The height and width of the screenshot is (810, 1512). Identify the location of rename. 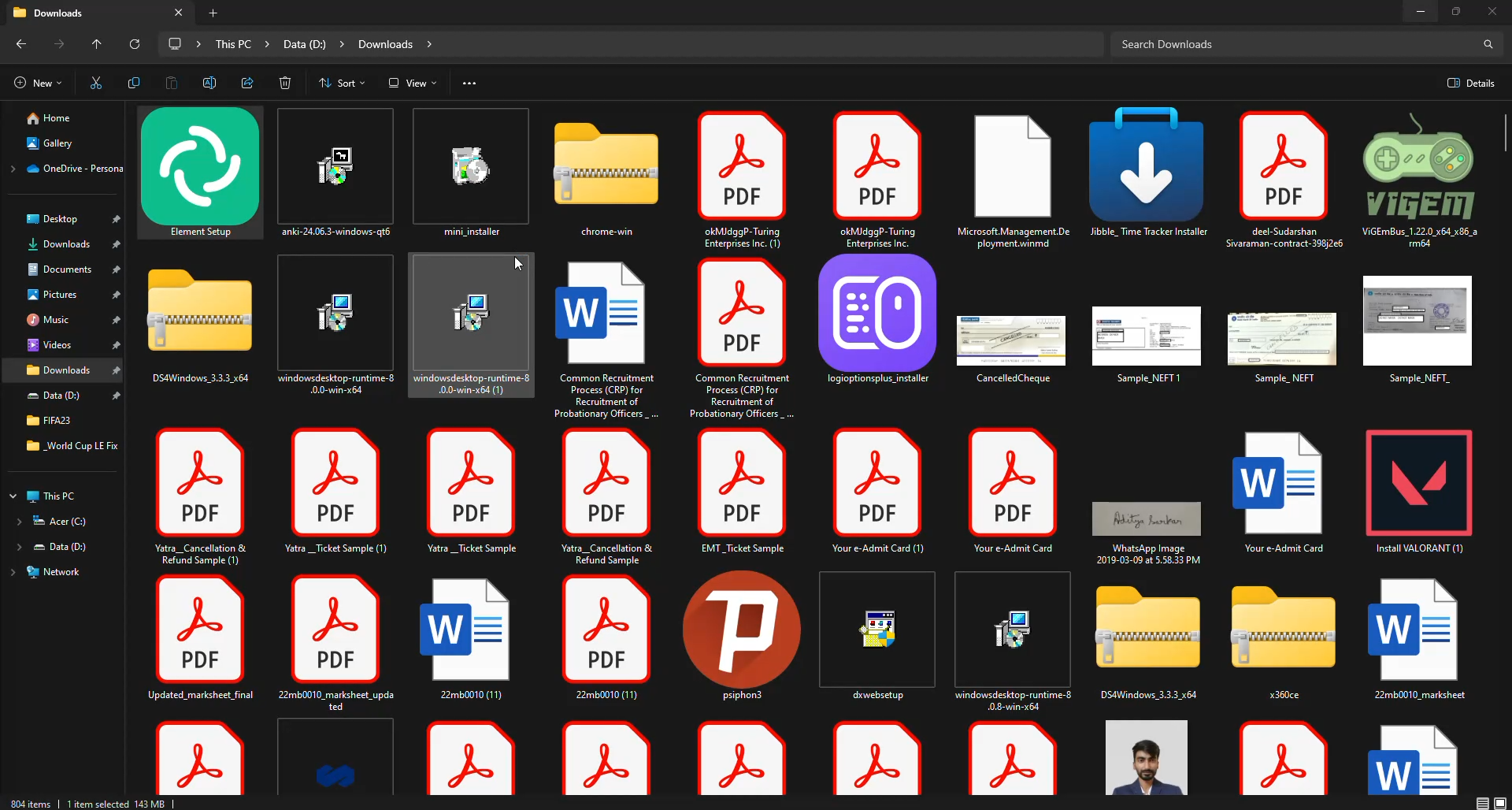
(210, 87).